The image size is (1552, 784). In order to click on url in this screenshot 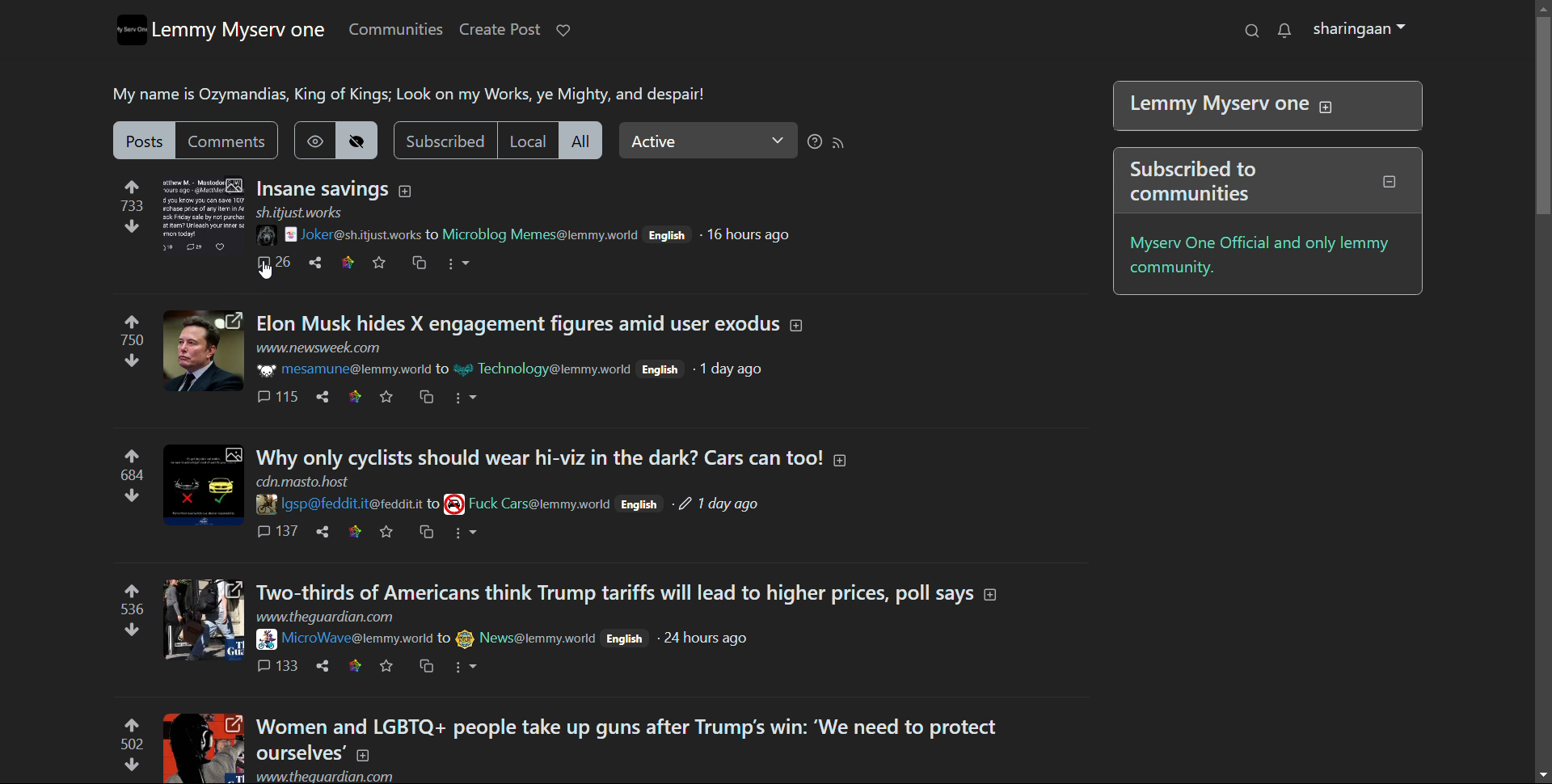, I will do `click(323, 618)`.